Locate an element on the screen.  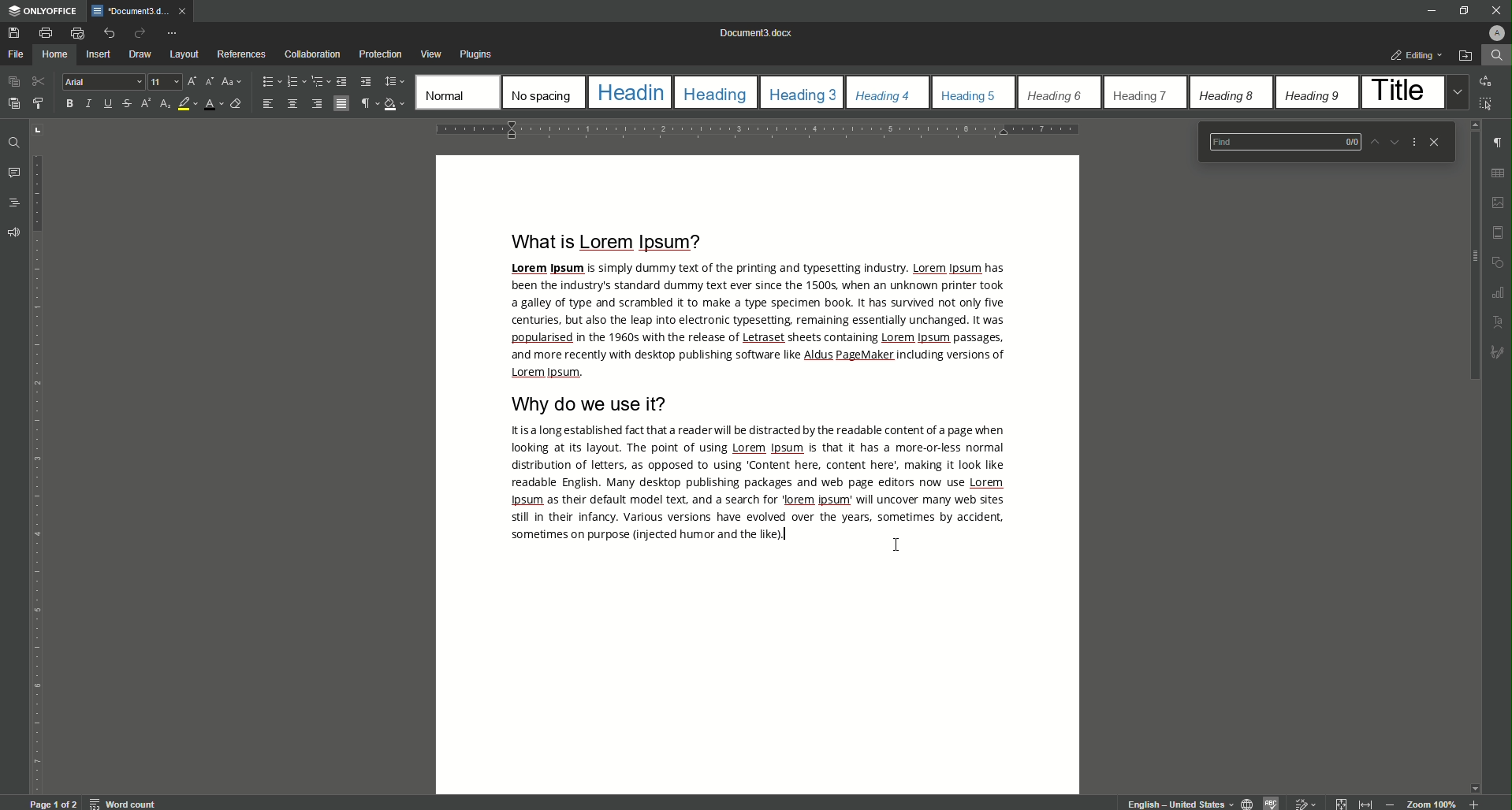
spelling check is located at coordinates (1273, 802).